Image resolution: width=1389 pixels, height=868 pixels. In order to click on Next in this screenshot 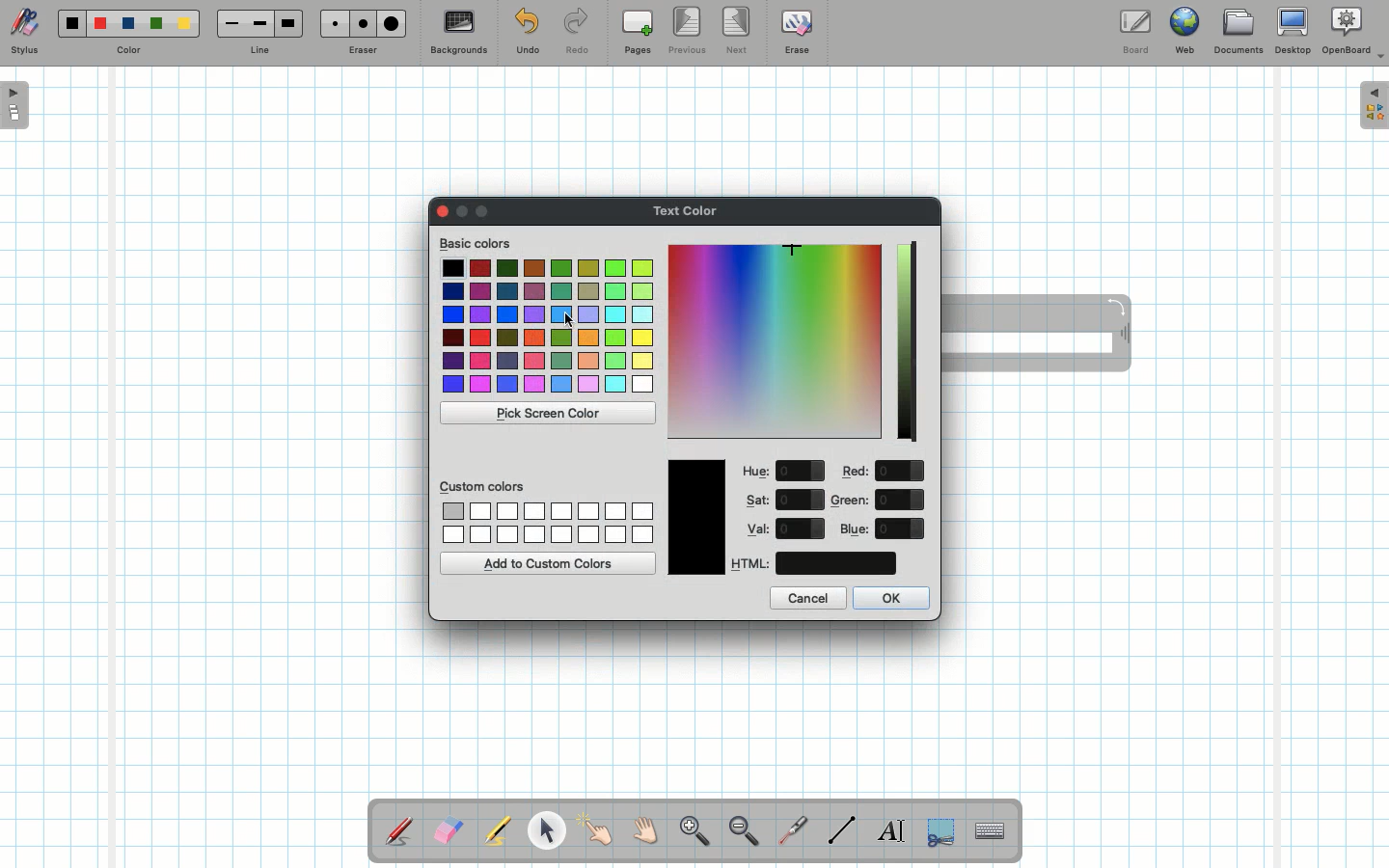, I will do `click(738, 29)`.